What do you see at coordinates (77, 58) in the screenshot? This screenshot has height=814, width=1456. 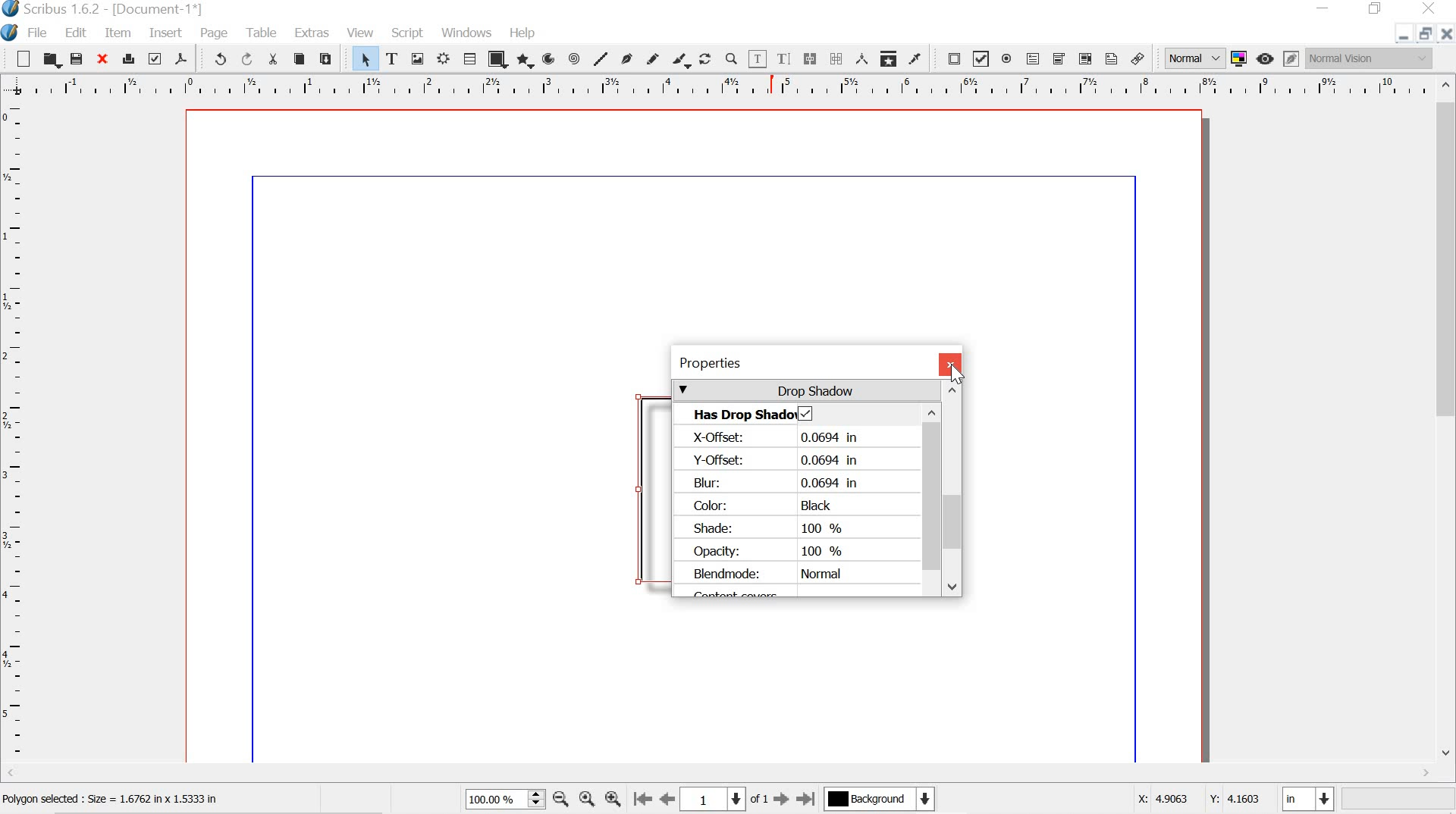 I see `save` at bounding box center [77, 58].